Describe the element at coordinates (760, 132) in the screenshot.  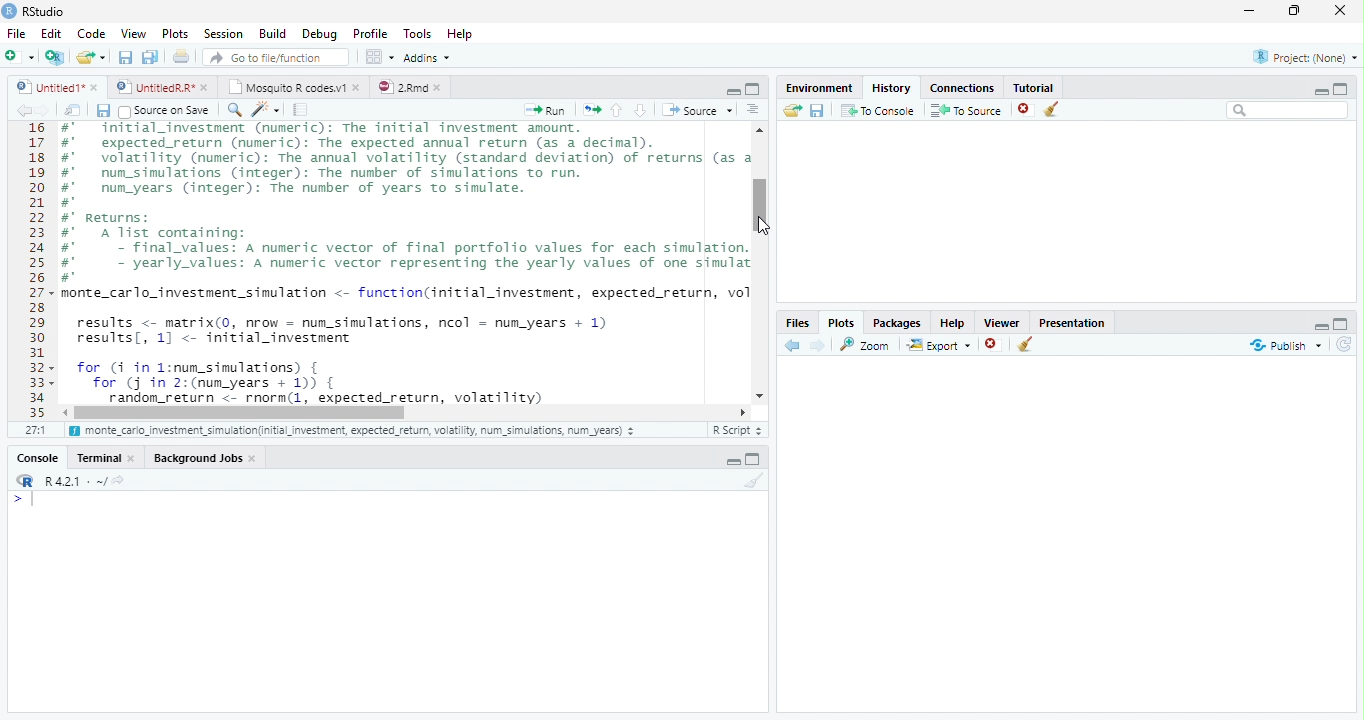
I see `Scroll Up` at that location.